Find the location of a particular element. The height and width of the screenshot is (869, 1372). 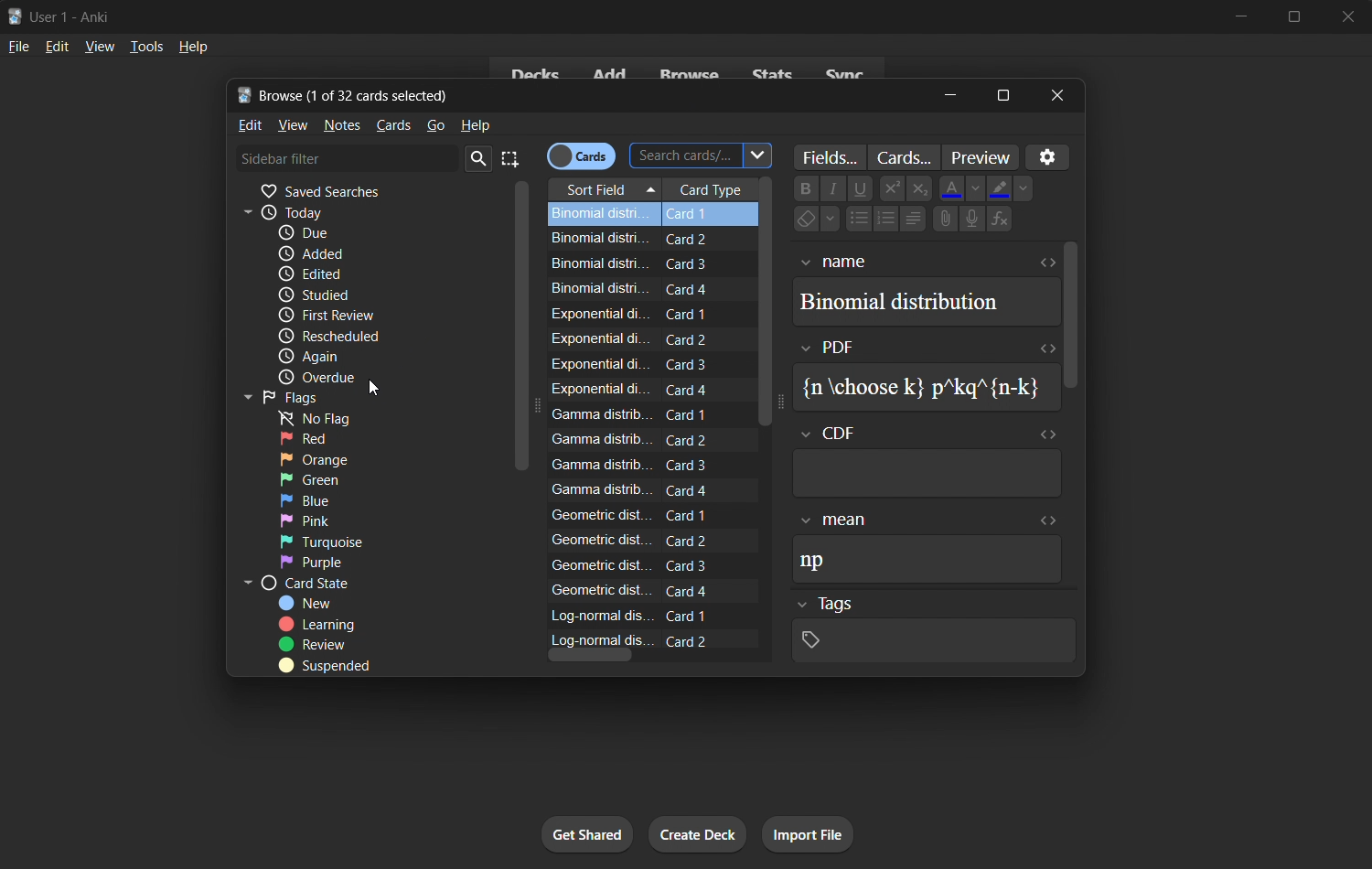

learning is located at coordinates (321, 625).